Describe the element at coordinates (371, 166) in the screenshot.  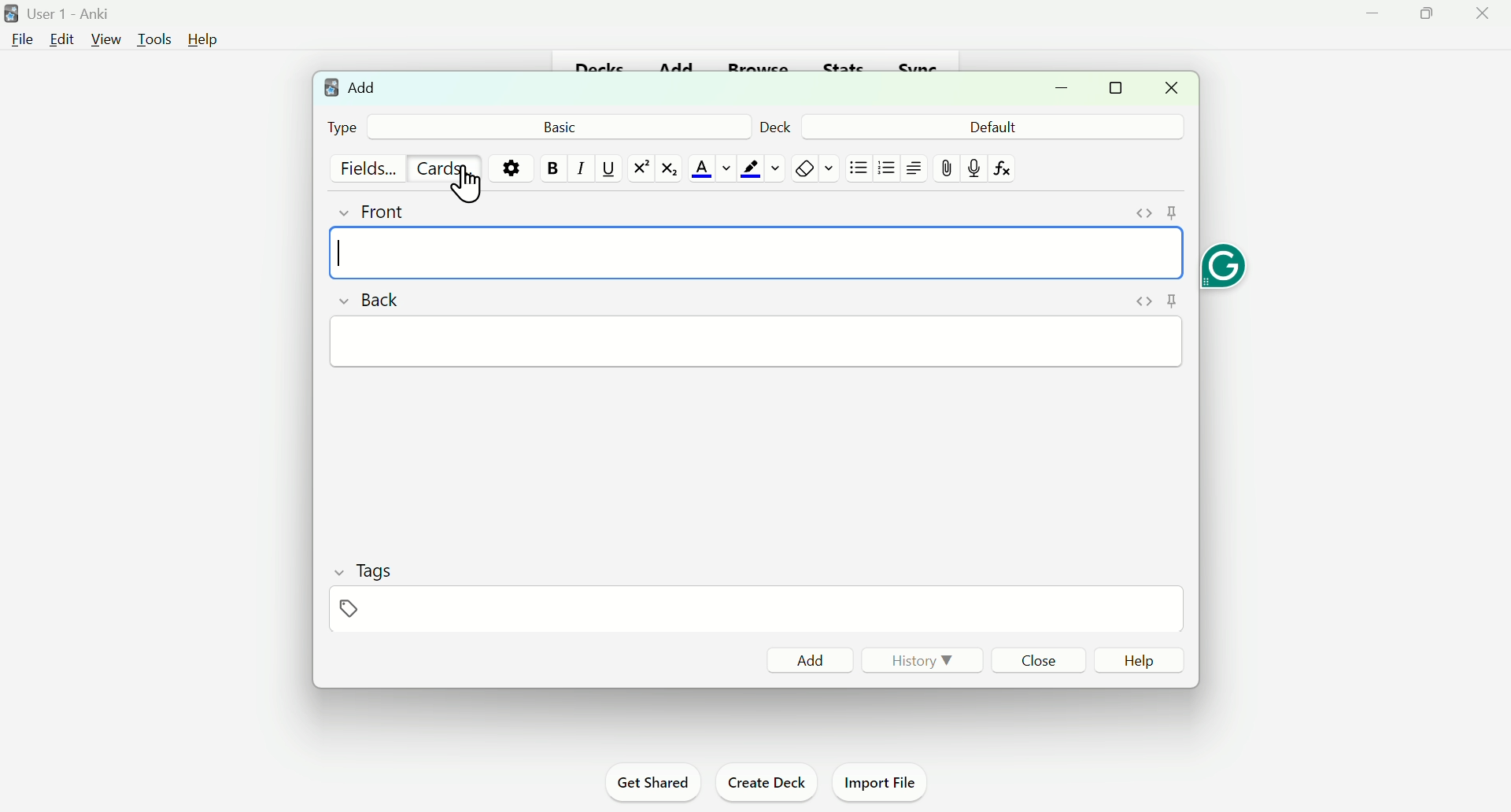
I see `Fields` at that location.